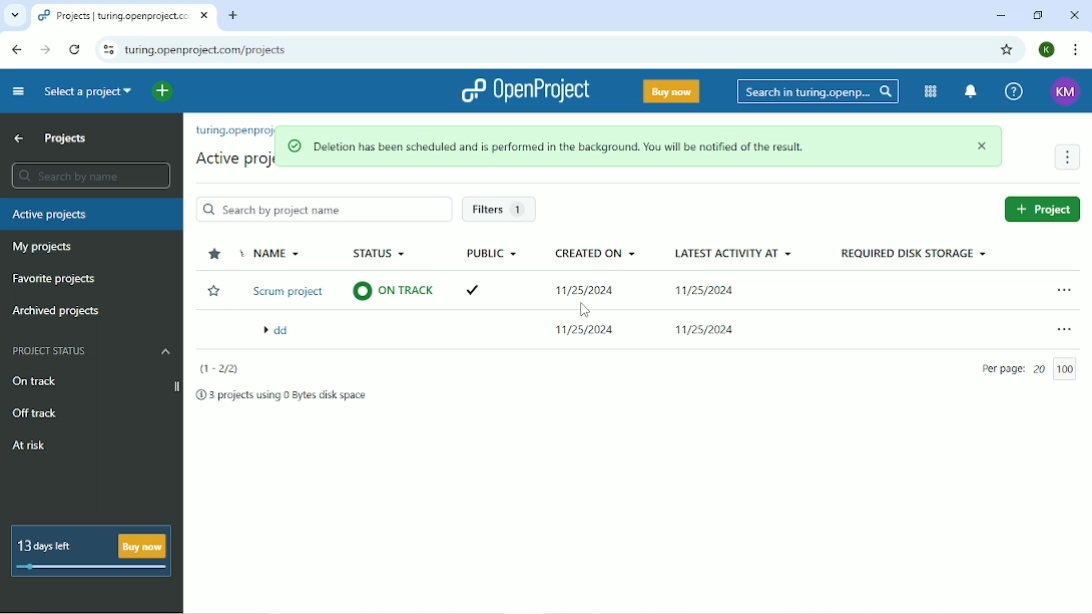 The height and width of the screenshot is (614, 1092). I want to click on 11/25/2024, so click(710, 327).